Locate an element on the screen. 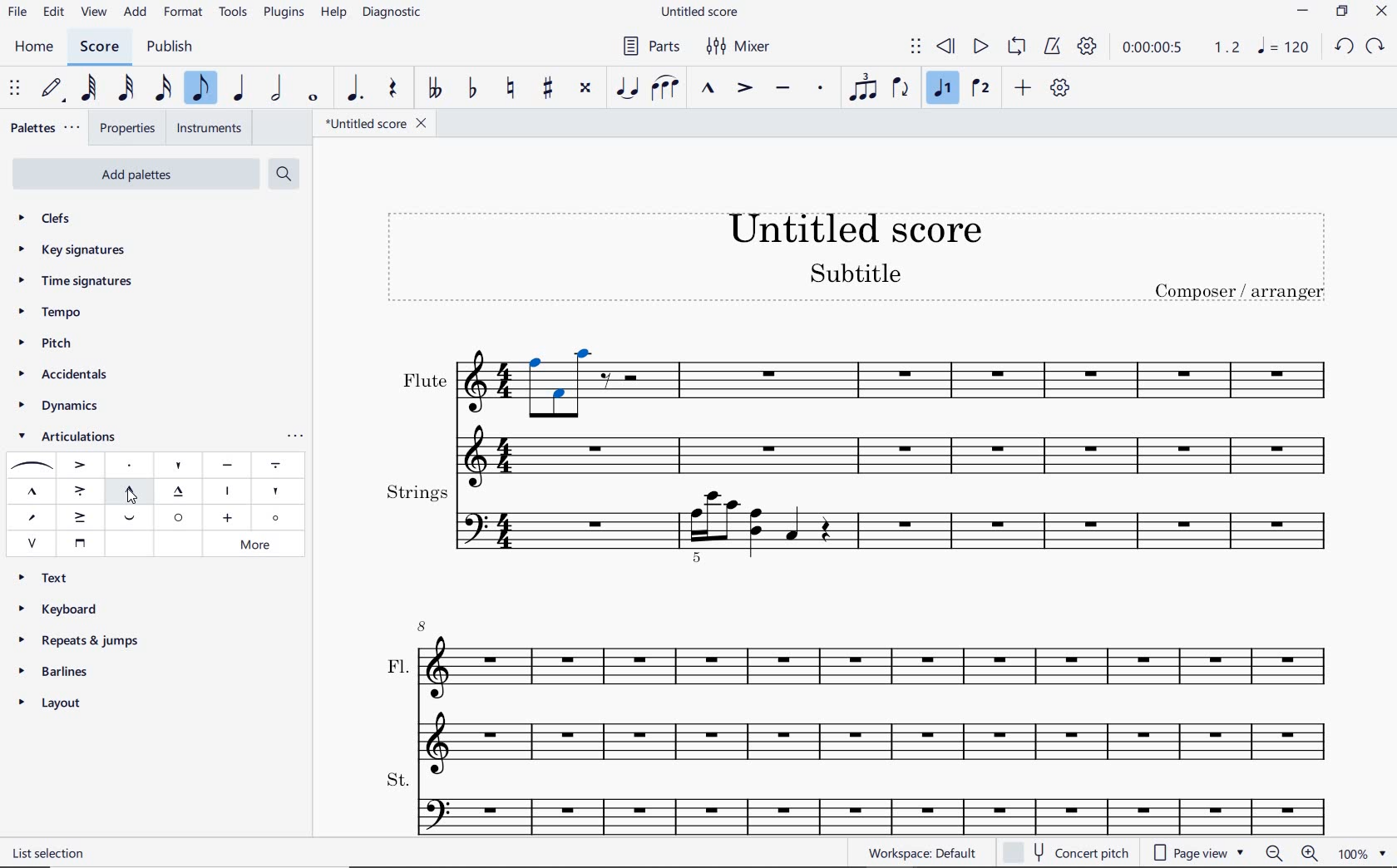 The width and height of the screenshot is (1397, 868). TENUTO-ACCENT ABOVE is located at coordinates (81, 515).